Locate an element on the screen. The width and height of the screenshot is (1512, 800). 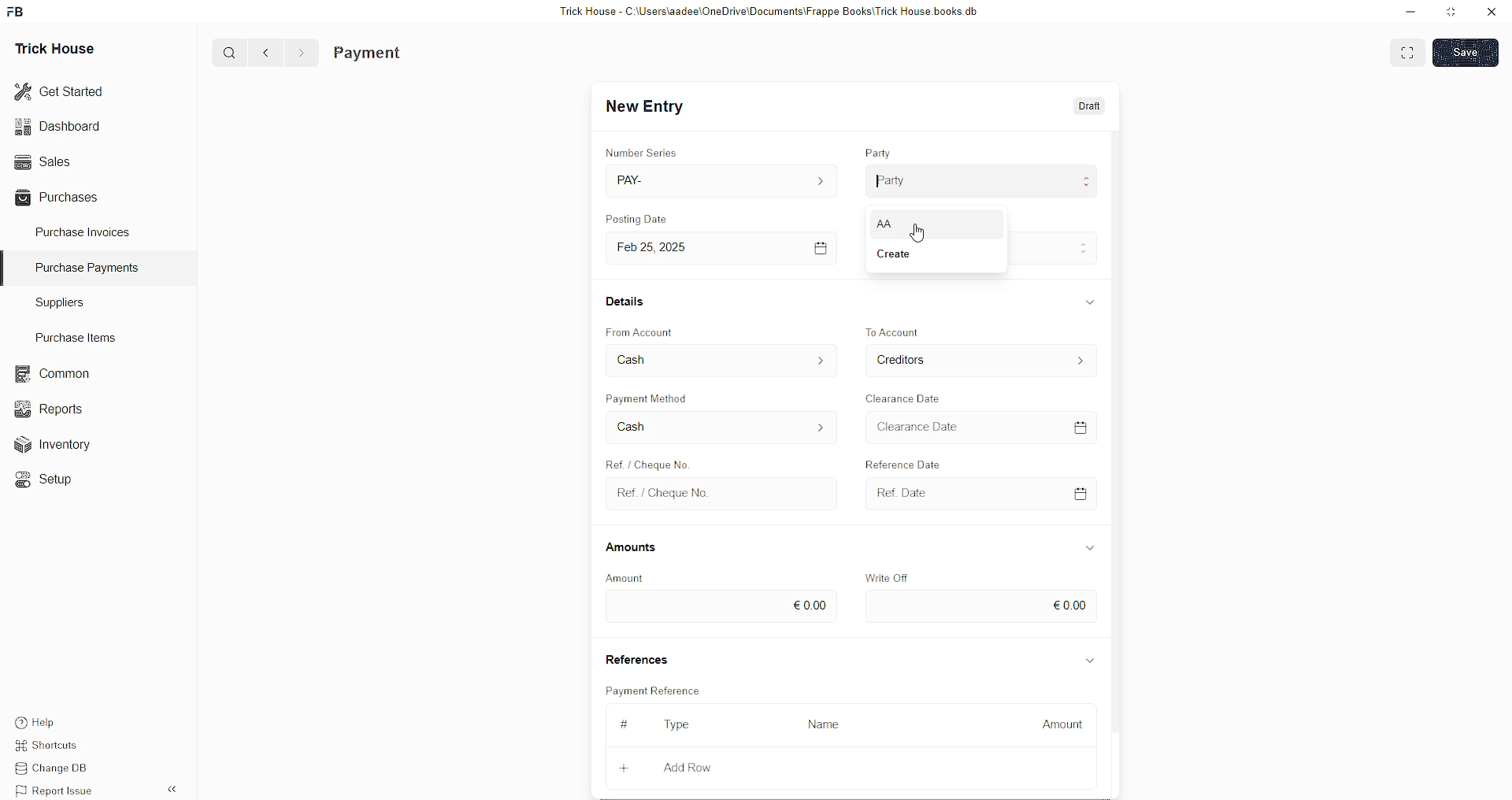
Shortcuts is located at coordinates (56, 747).